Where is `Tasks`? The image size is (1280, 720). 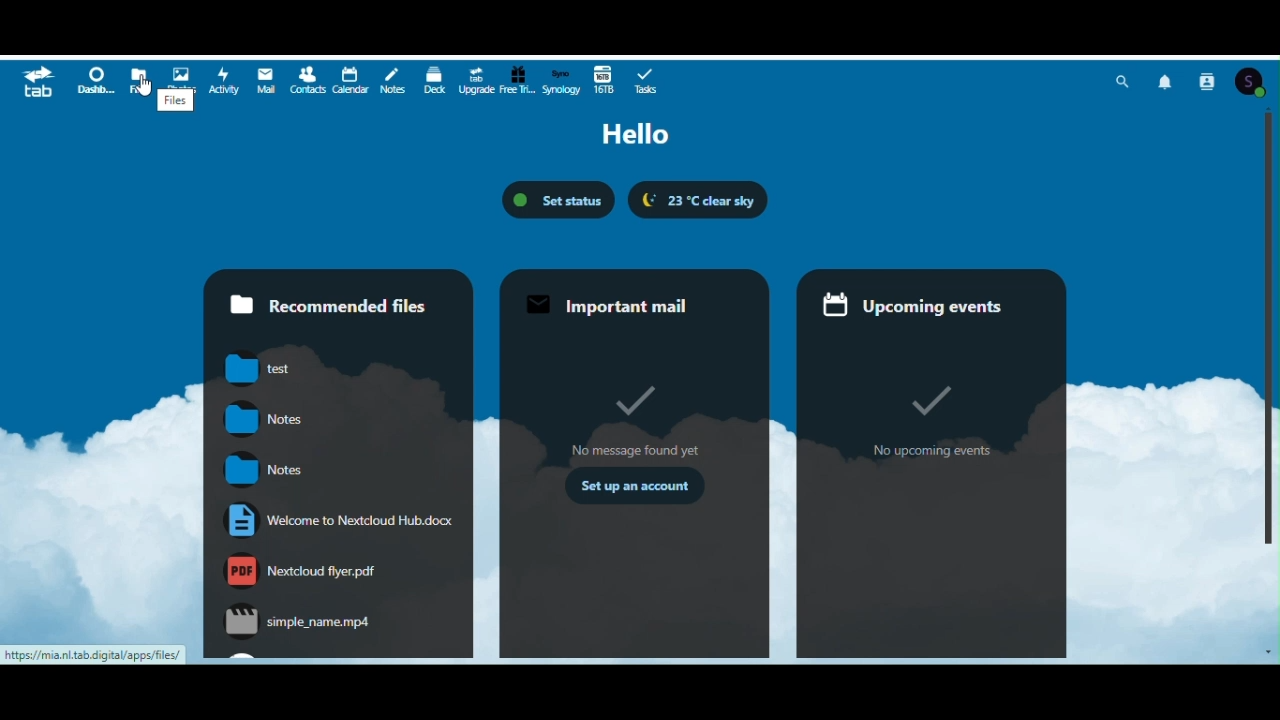 Tasks is located at coordinates (647, 82).